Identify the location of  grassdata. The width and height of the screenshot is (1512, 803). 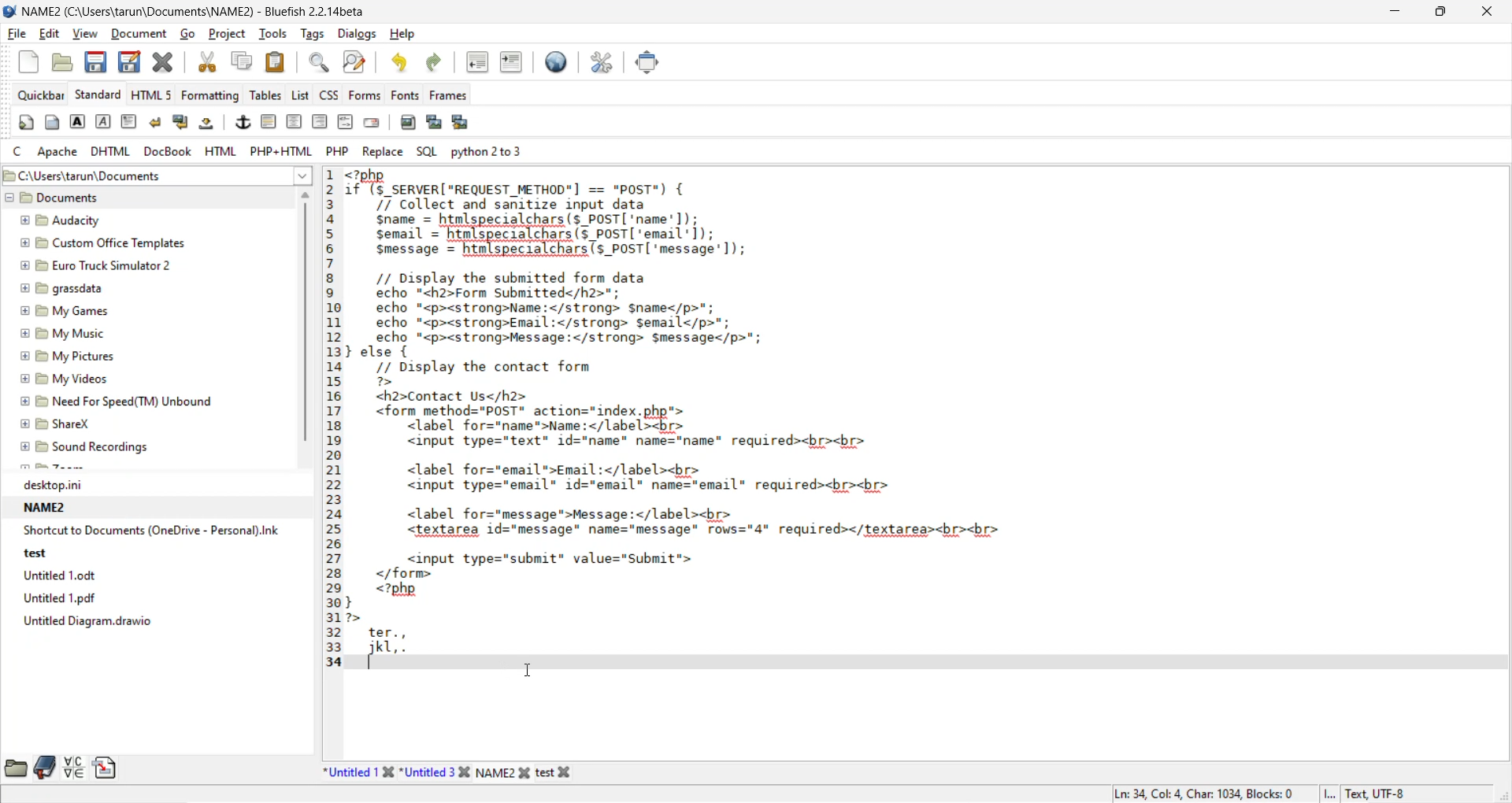
(62, 290).